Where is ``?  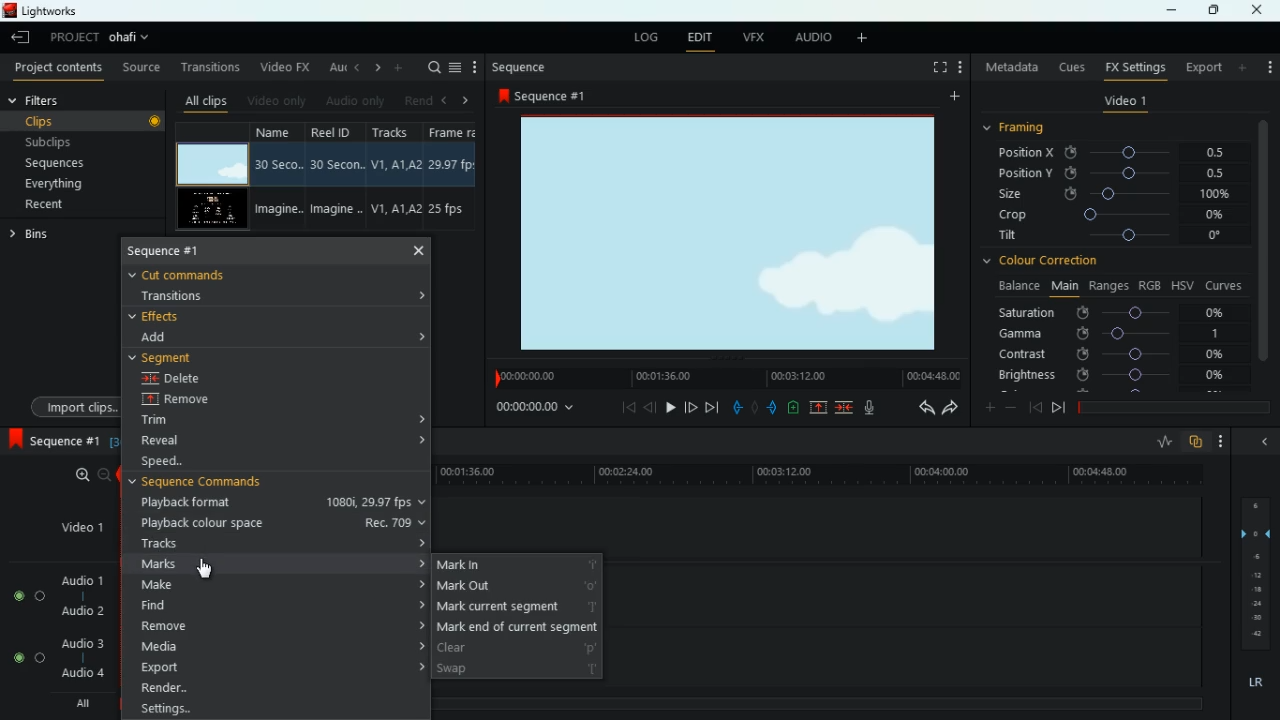
 is located at coordinates (1256, 619).